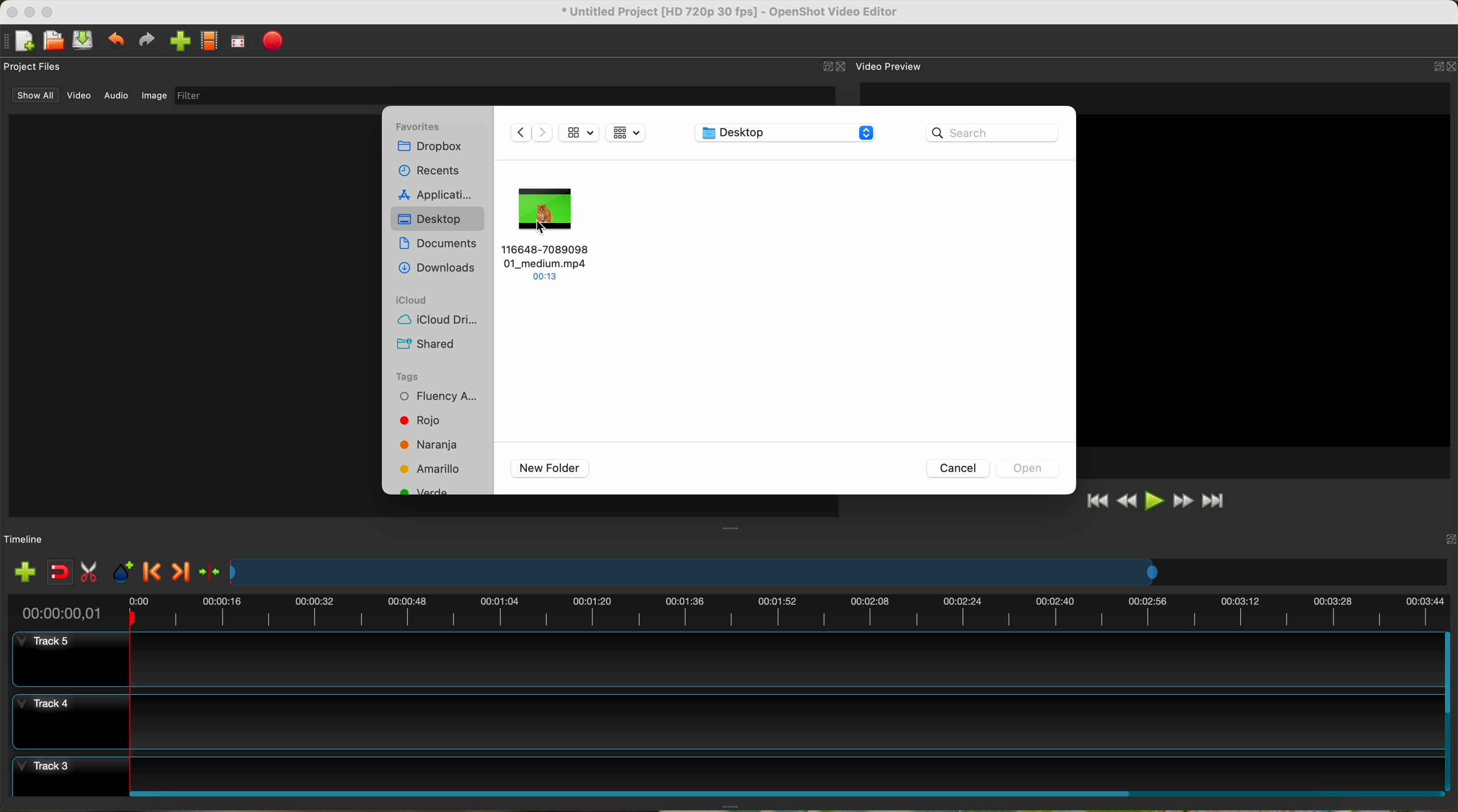 This screenshot has height=812, width=1458. What do you see at coordinates (24, 540) in the screenshot?
I see `timeline` at bounding box center [24, 540].